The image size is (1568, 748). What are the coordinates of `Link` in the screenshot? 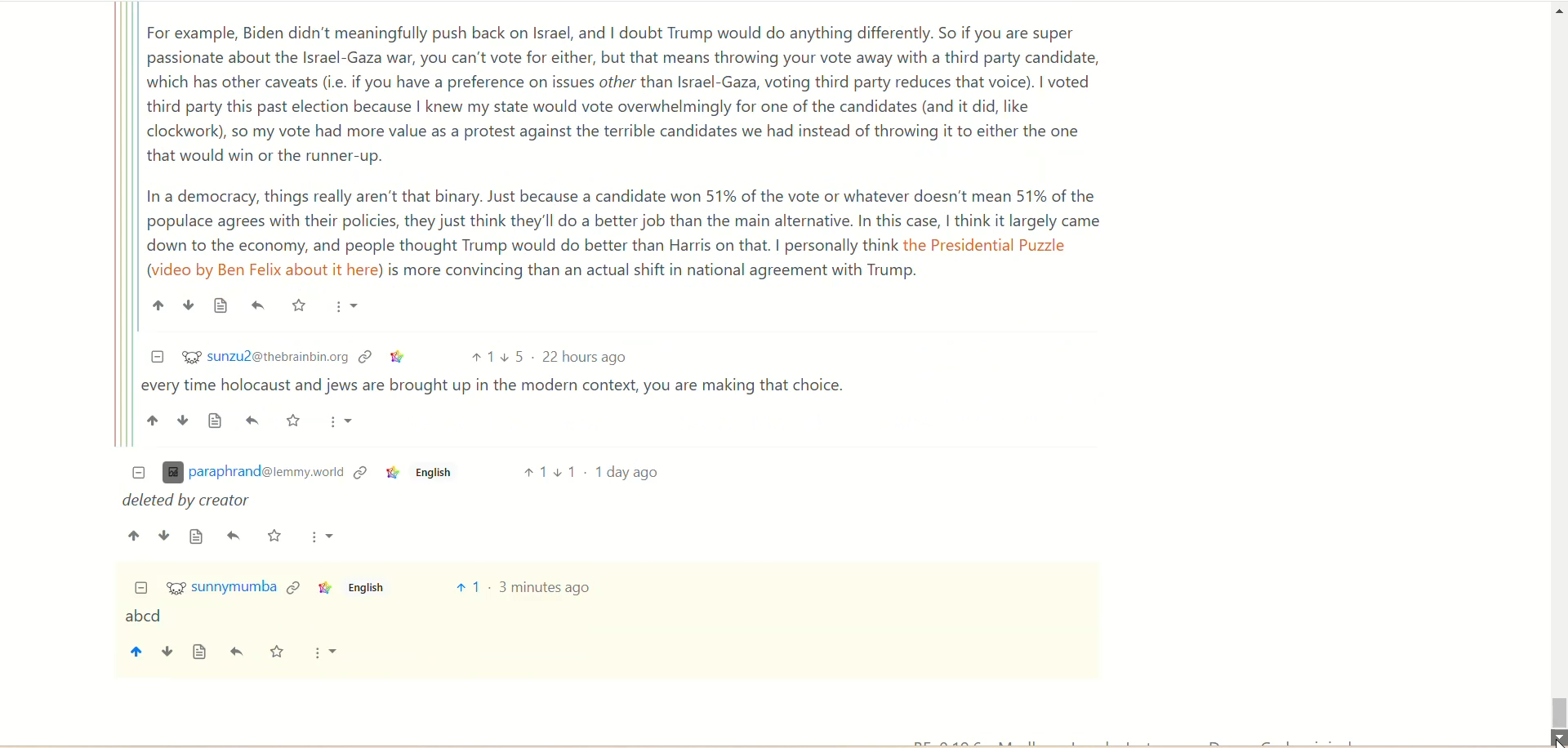 It's located at (364, 471).